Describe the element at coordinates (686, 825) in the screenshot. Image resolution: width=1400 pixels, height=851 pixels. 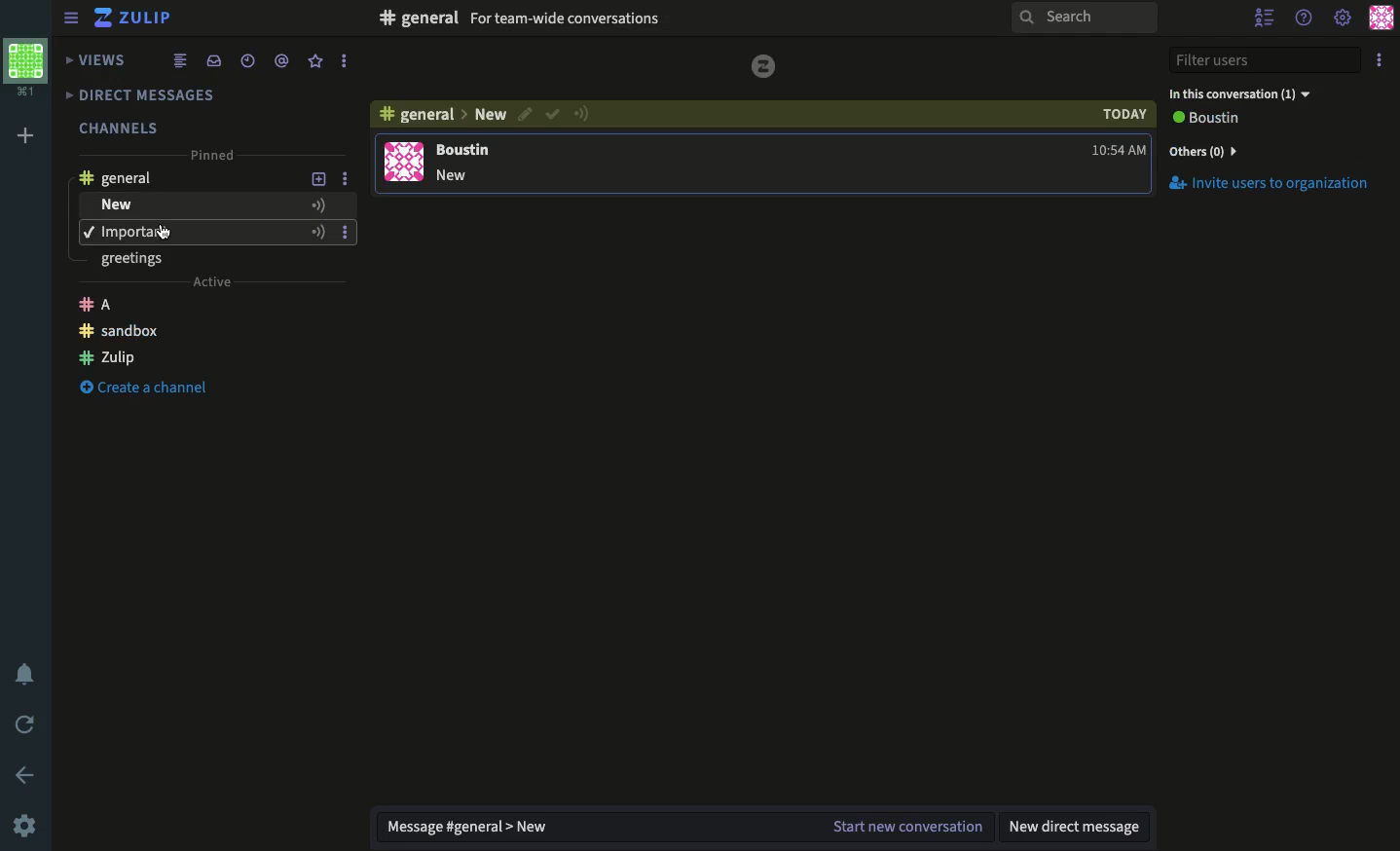
I see `Message` at that location.